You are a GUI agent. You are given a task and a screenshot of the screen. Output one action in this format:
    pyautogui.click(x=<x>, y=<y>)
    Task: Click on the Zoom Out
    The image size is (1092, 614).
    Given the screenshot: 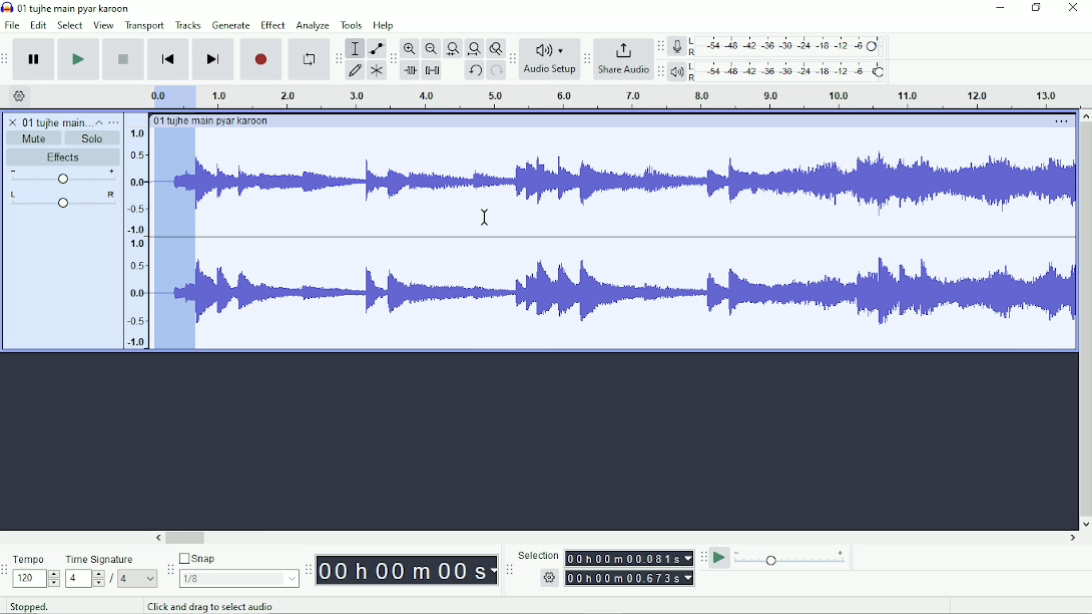 What is the action you would take?
    pyautogui.click(x=431, y=49)
    